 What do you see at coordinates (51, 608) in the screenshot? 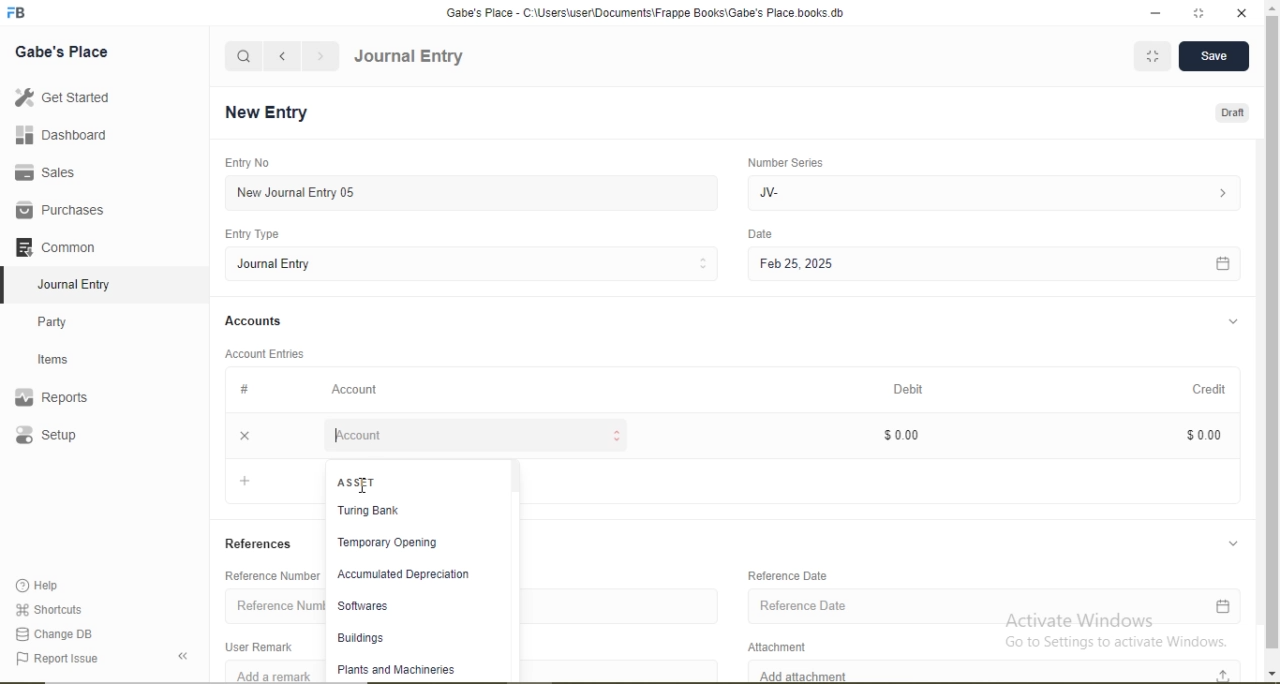
I see `‘Shortcuts` at bounding box center [51, 608].